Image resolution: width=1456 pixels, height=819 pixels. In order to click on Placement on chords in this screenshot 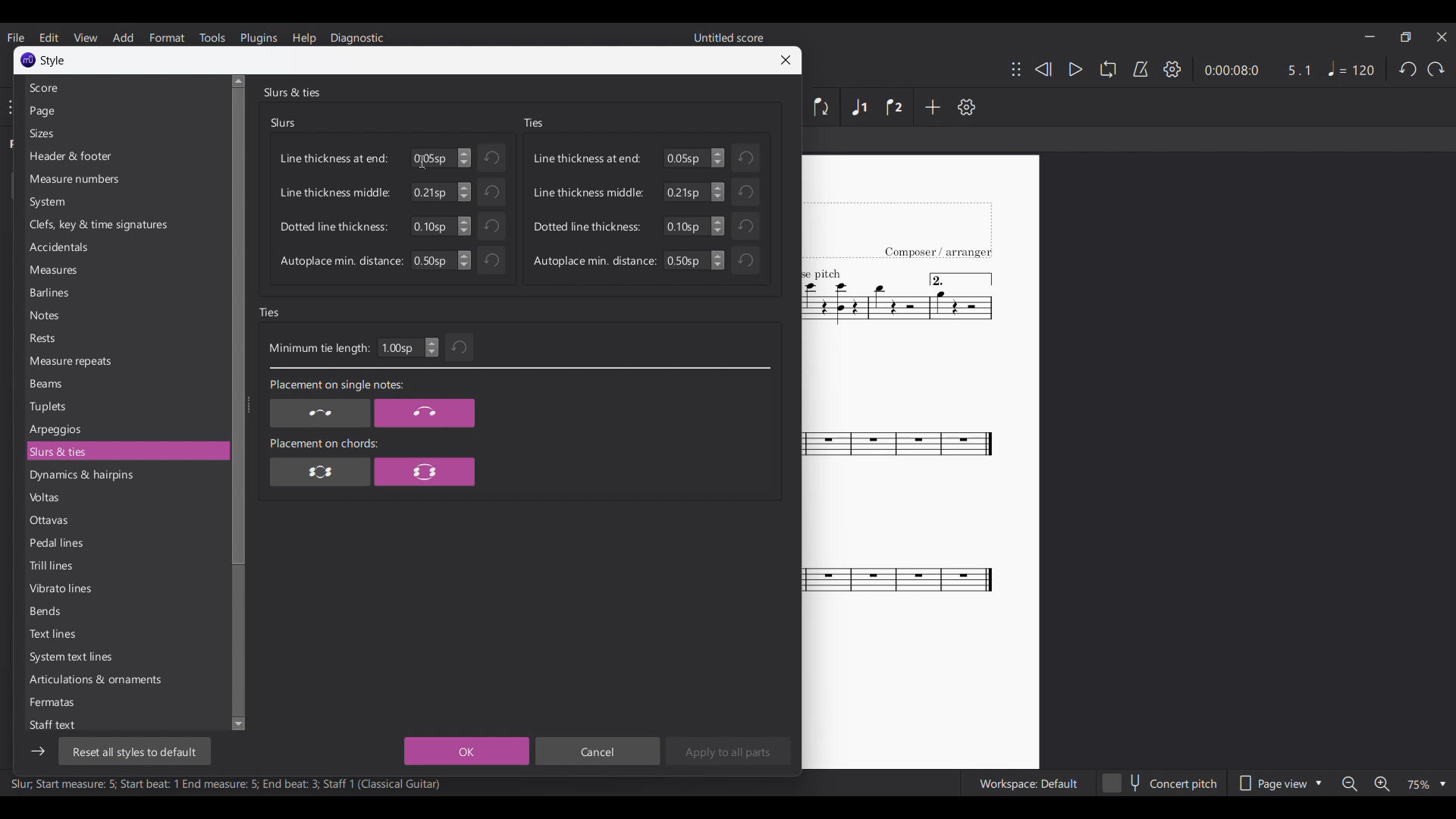, I will do `click(324, 443)`.